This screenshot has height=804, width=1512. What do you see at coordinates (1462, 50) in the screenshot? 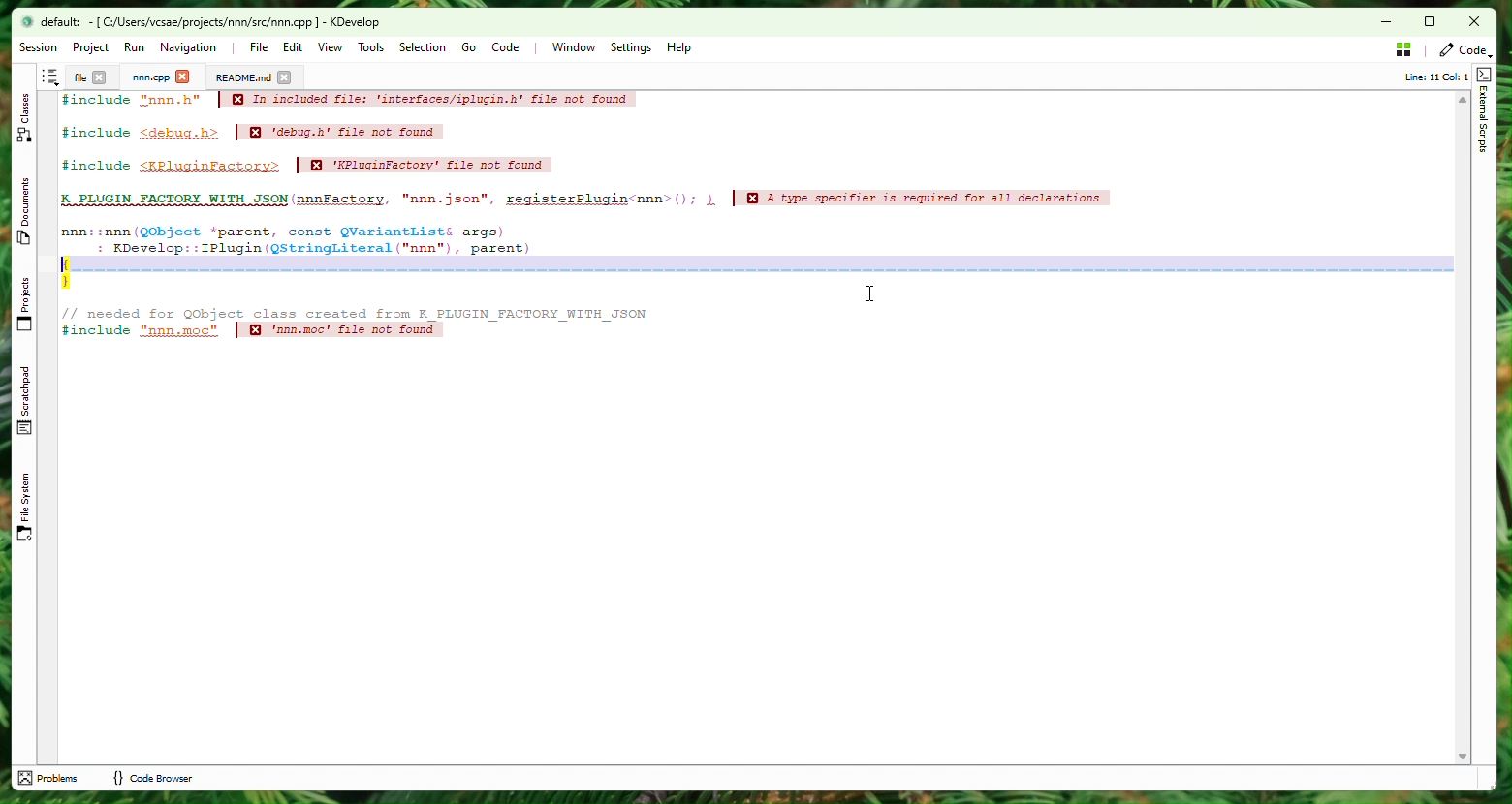
I see `Code` at bounding box center [1462, 50].